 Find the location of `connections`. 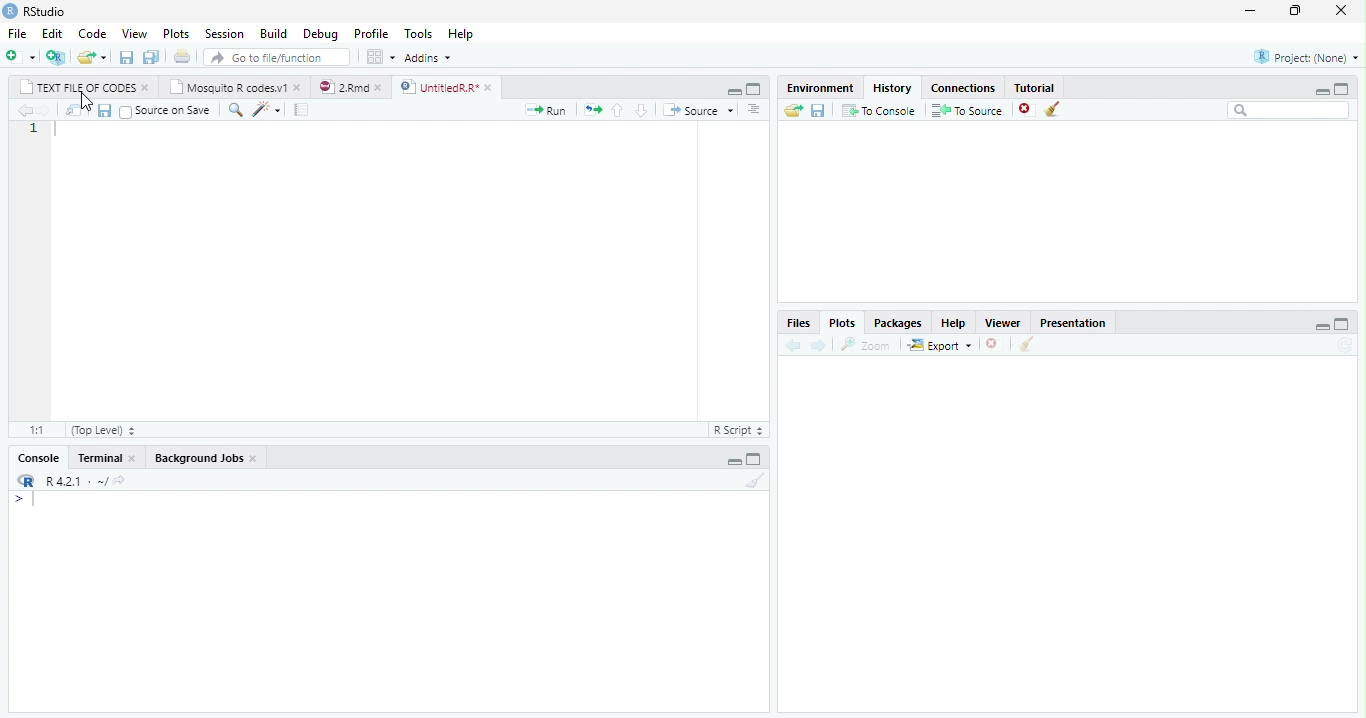

connections is located at coordinates (962, 88).